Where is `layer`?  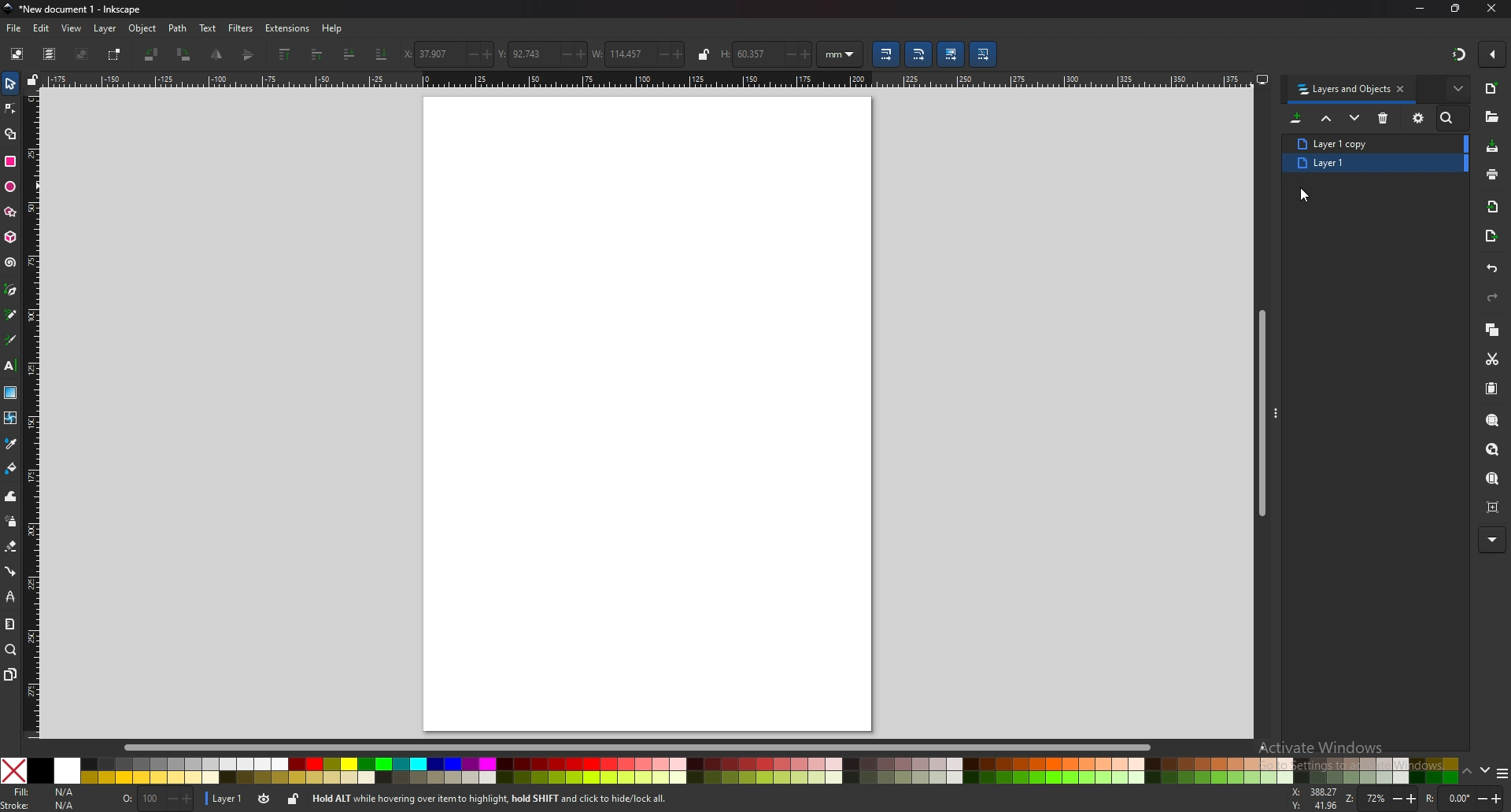
layer is located at coordinates (105, 28).